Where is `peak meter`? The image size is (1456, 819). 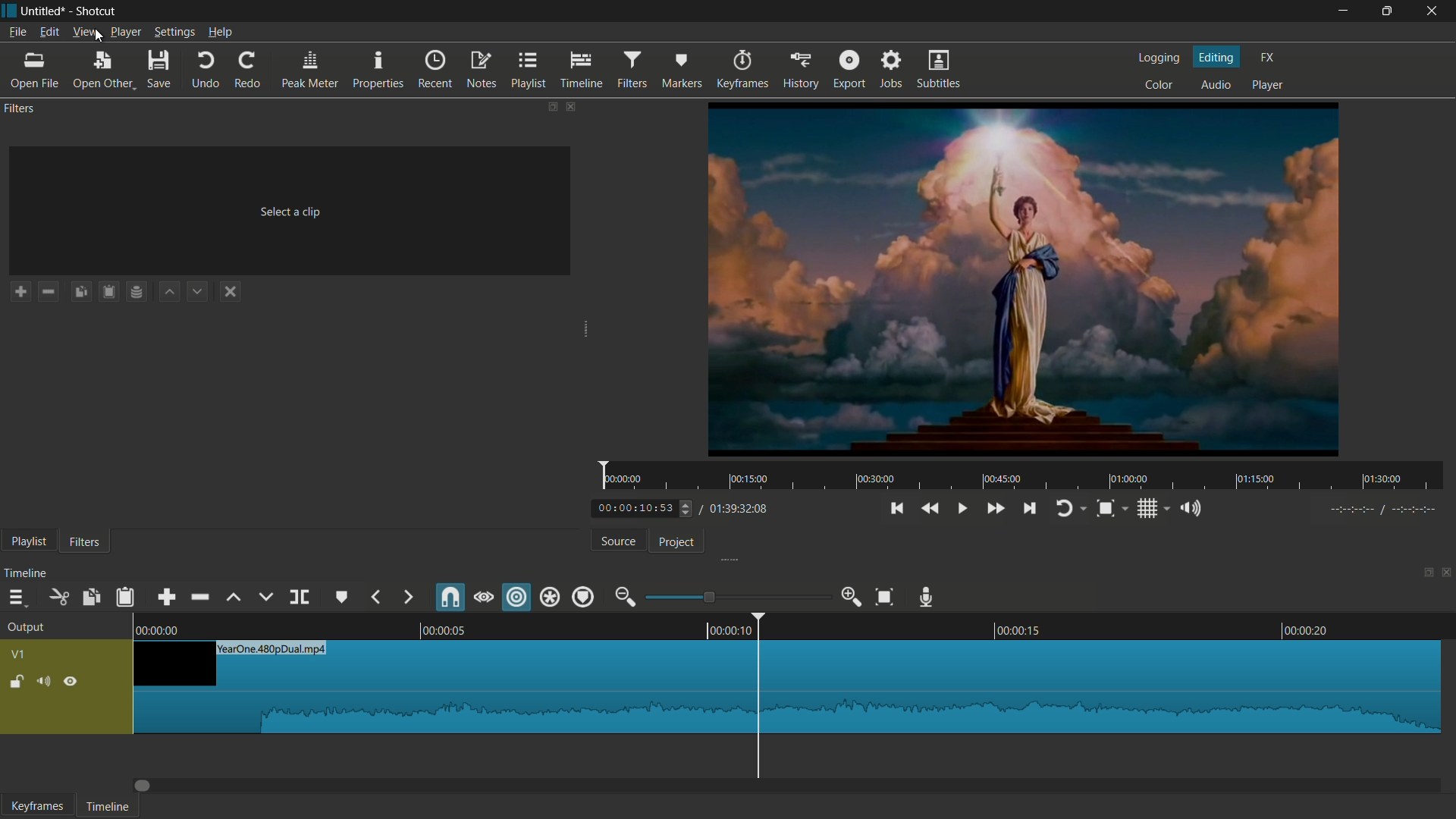 peak meter is located at coordinates (308, 71).